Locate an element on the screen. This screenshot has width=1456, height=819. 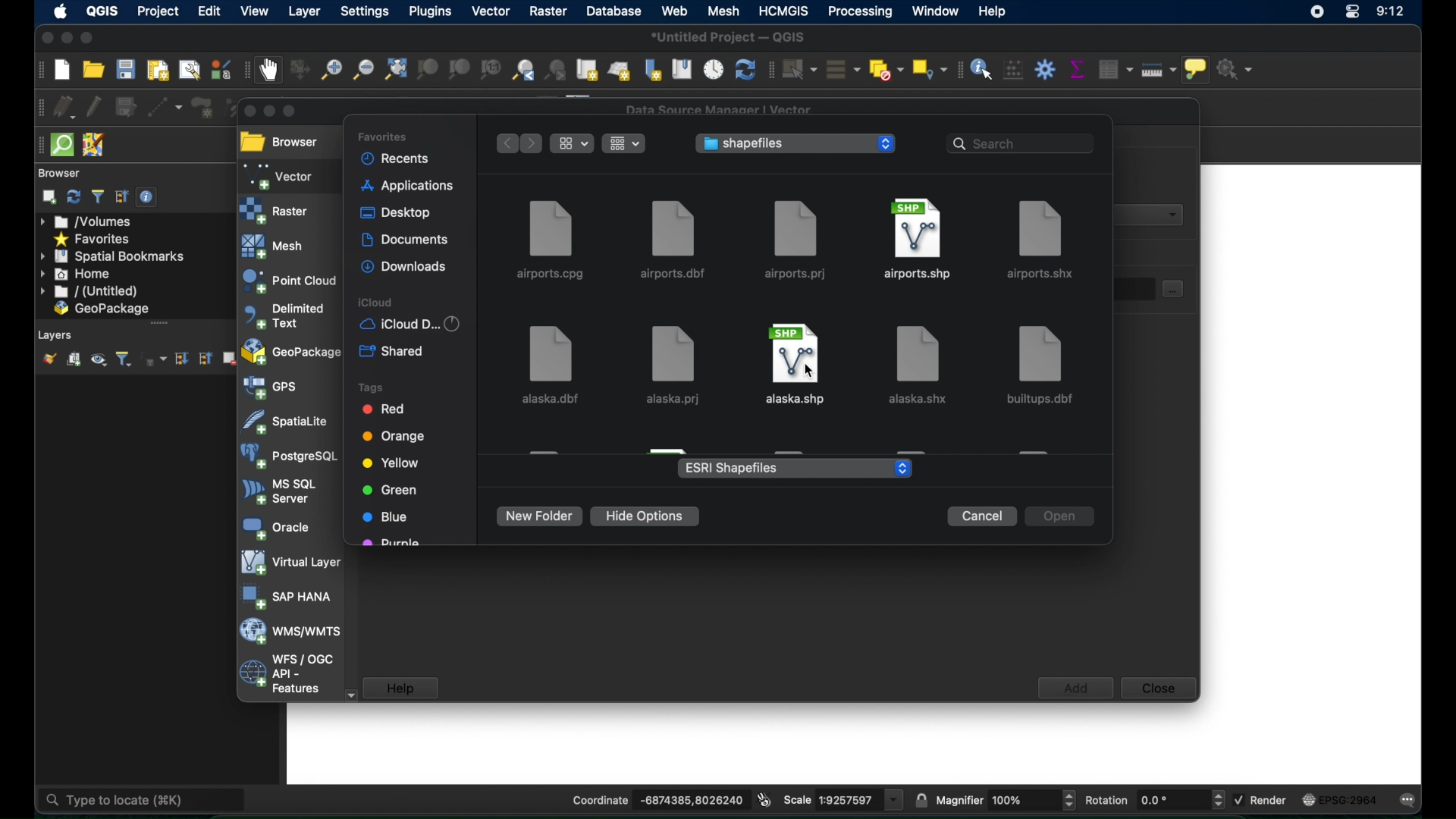
minimize is located at coordinates (67, 39).